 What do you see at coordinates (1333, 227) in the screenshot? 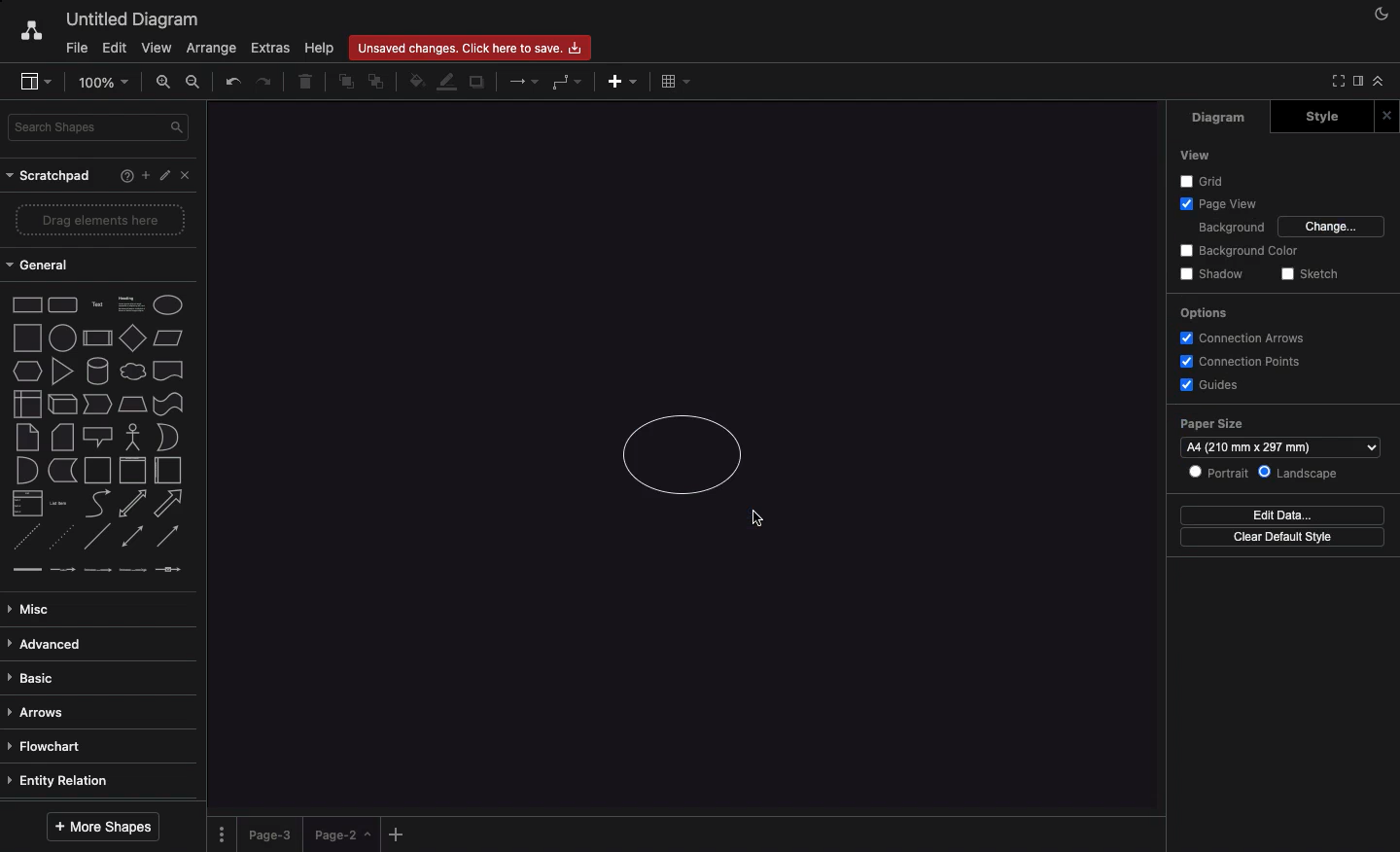
I see `Change` at bounding box center [1333, 227].